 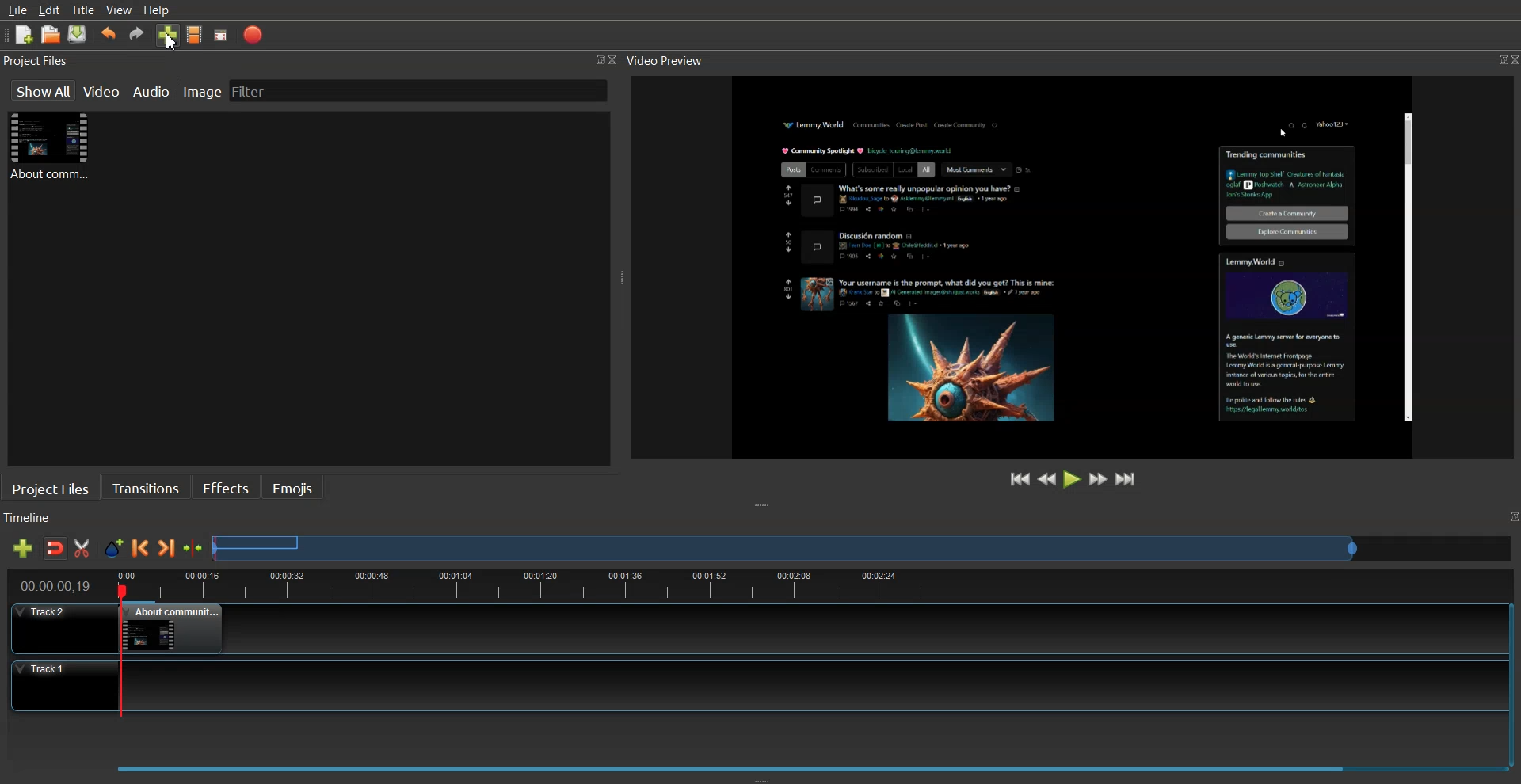 What do you see at coordinates (194, 548) in the screenshot?
I see `Center the timeline on the playhead` at bounding box center [194, 548].